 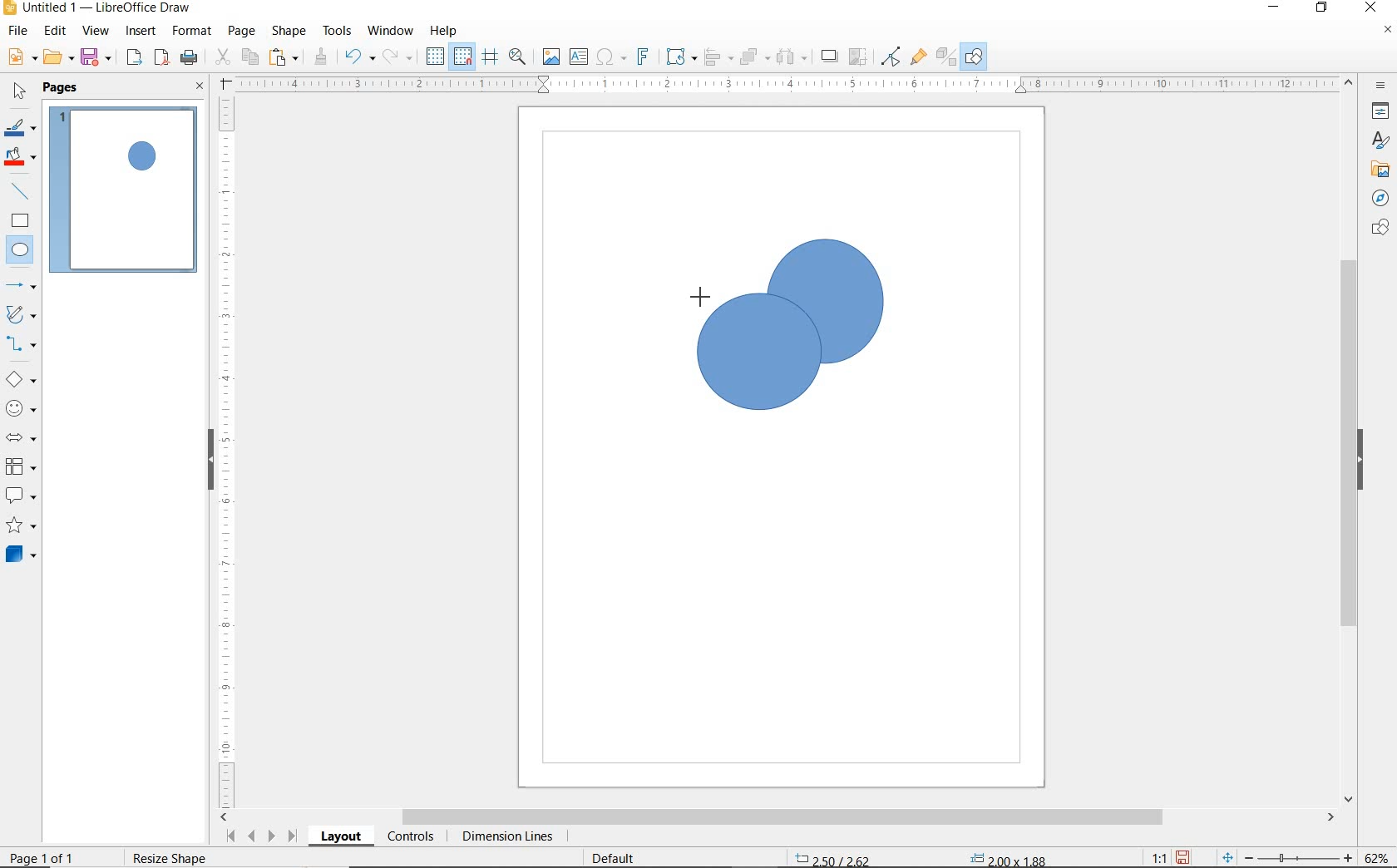 What do you see at coordinates (223, 57) in the screenshot?
I see `CUT` at bounding box center [223, 57].